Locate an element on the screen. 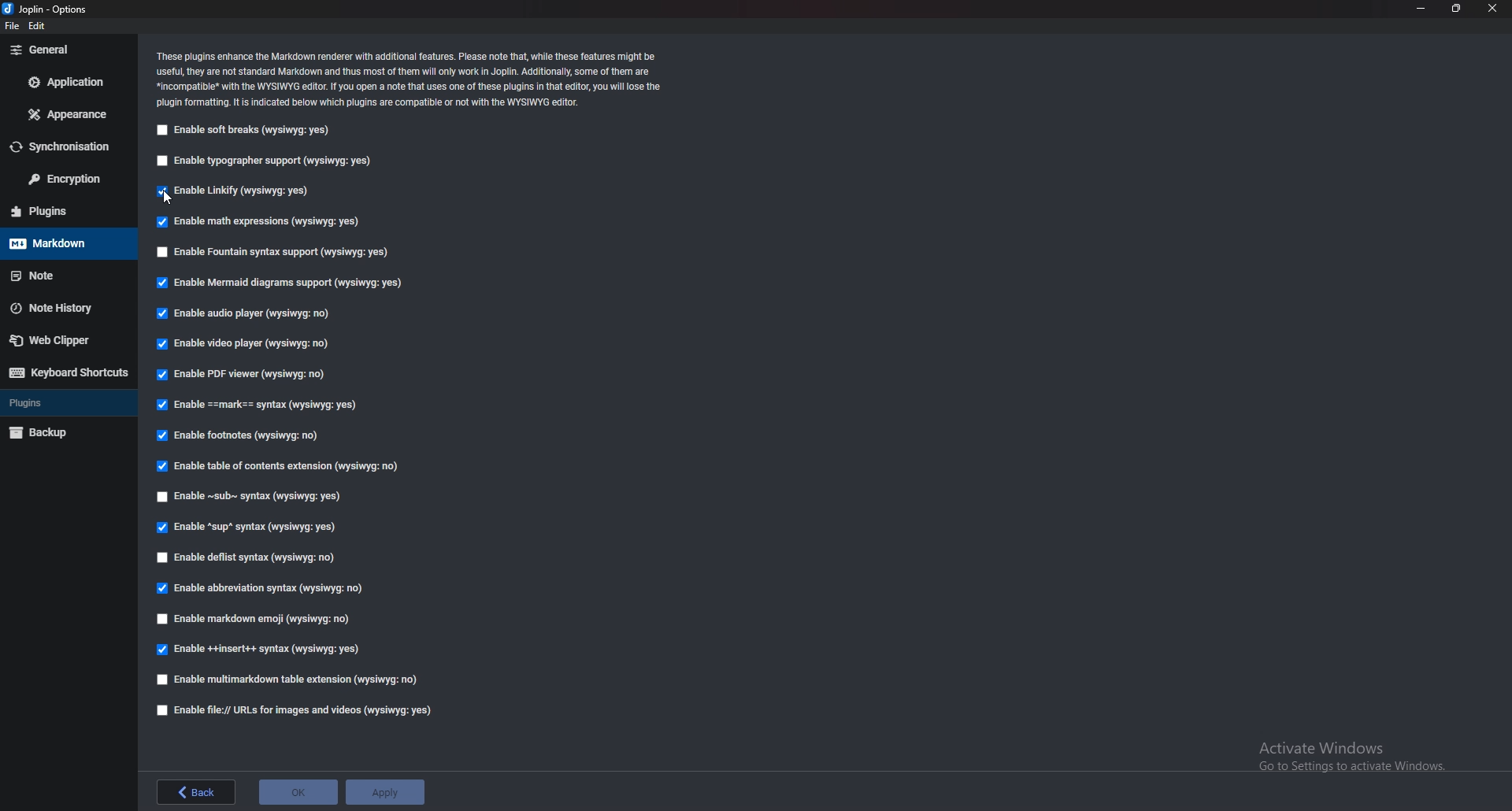  Enable table of contents is located at coordinates (276, 465).